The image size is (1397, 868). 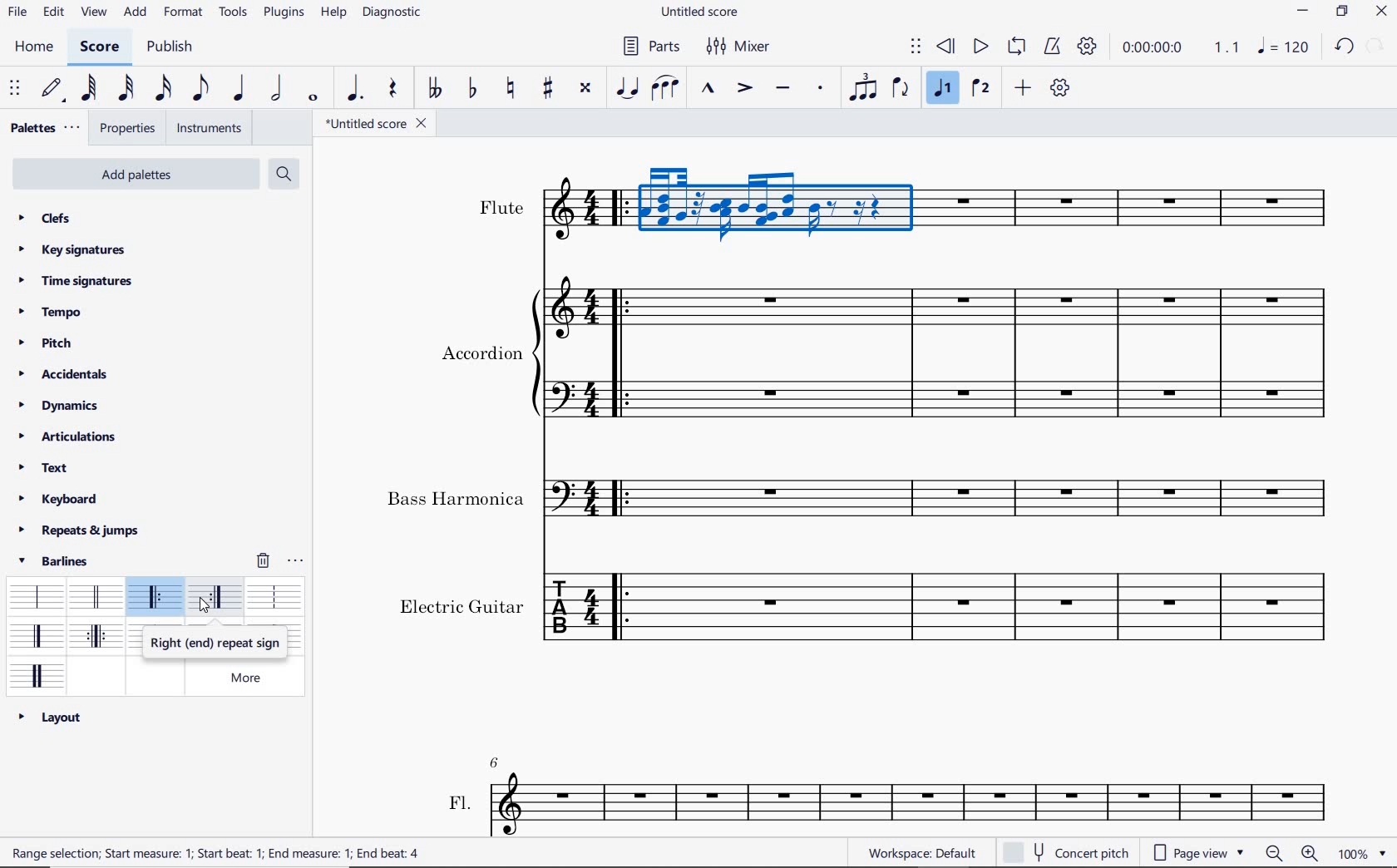 I want to click on dashed barline, so click(x=274, y=595).